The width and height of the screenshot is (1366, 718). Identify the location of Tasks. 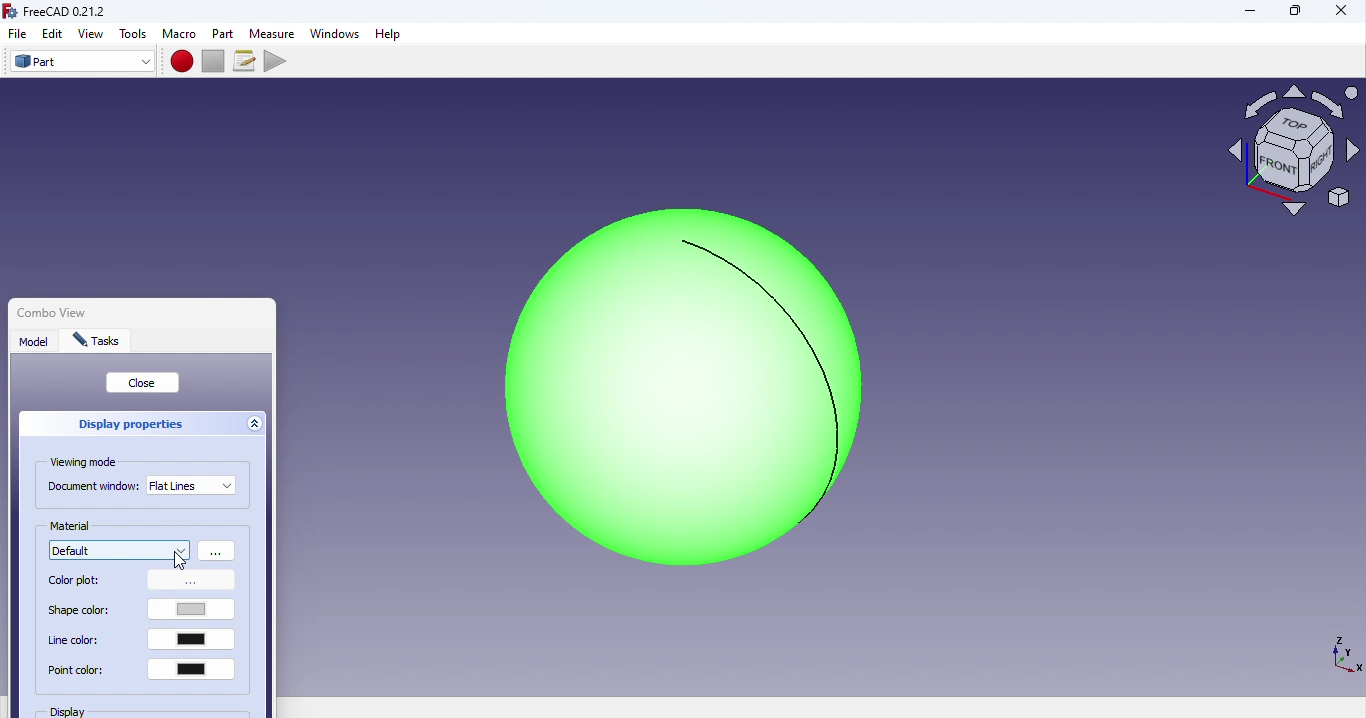
(101, 342).